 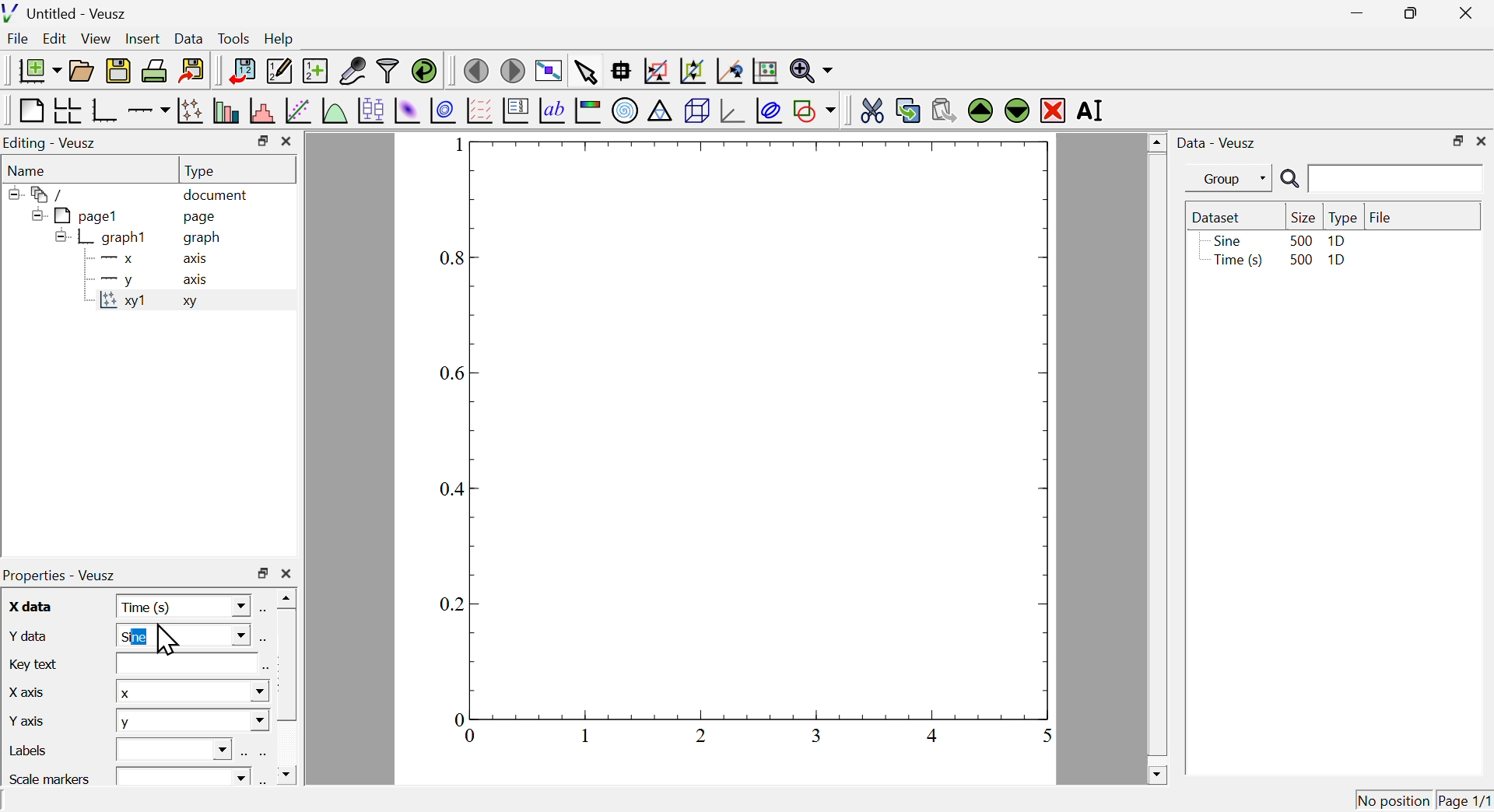 What do you see at coordinates (260, 141) in the screenshot?
I see `maximize` at bounding box center [260, 141].